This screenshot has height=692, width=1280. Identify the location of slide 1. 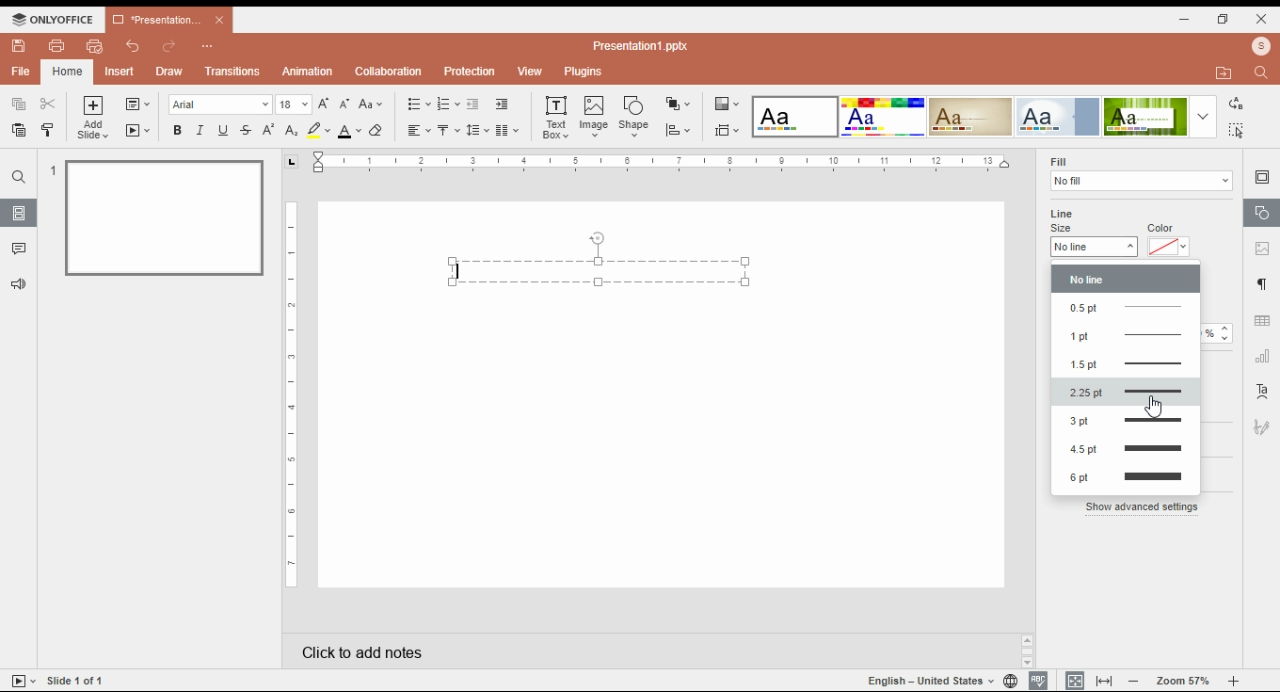
(164, 219).